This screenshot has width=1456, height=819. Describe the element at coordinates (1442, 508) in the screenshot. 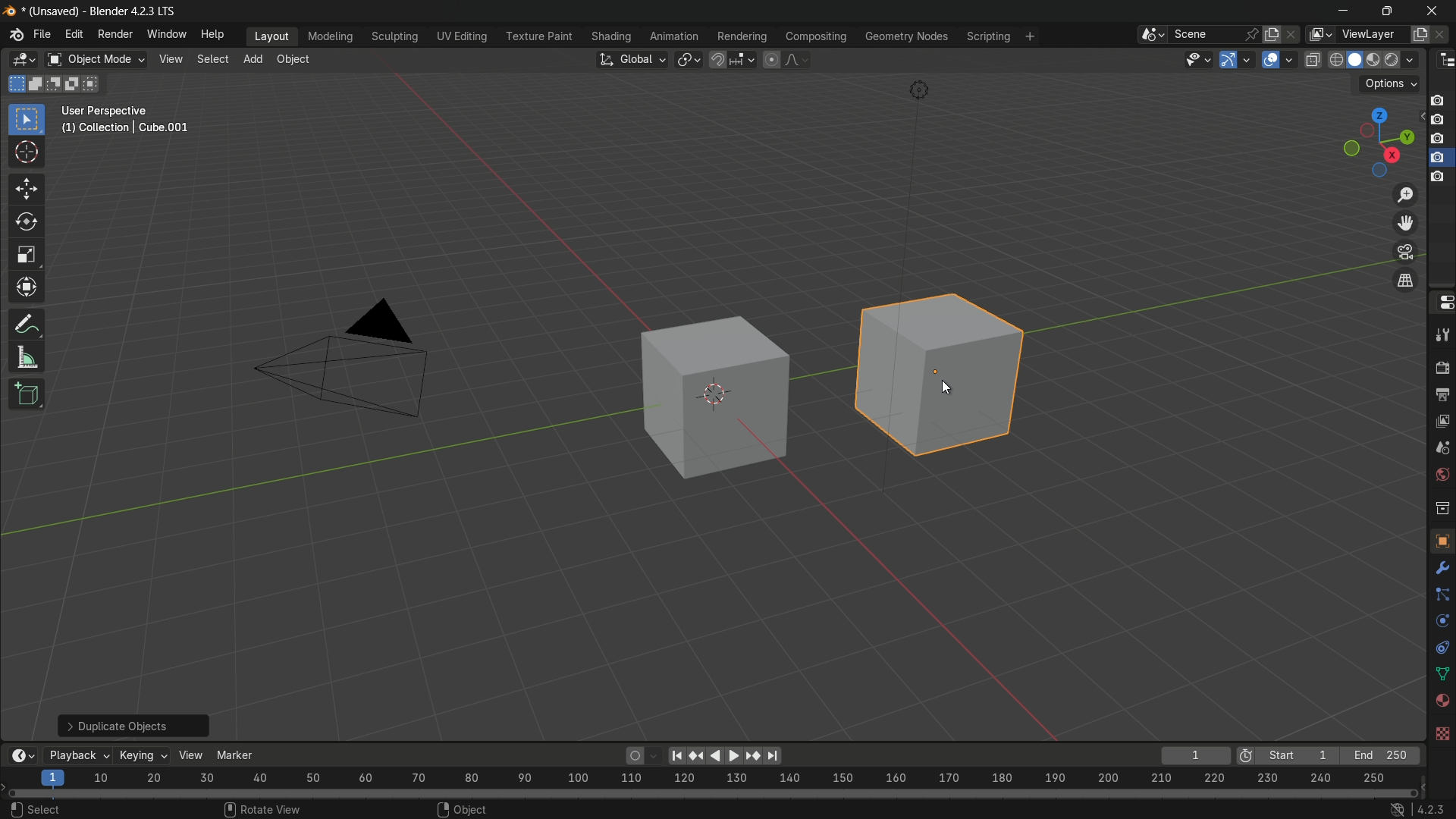

I see `collection` at that location.